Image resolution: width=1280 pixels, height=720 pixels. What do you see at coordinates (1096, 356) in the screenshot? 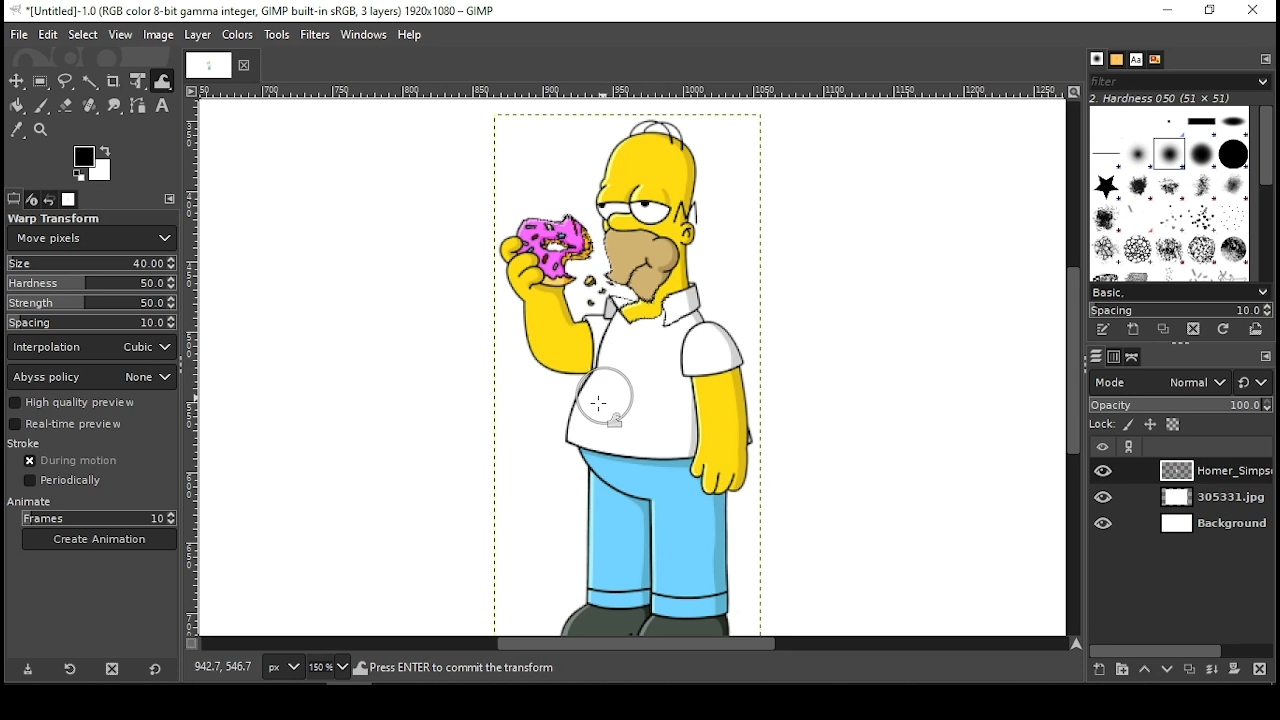
I see `layers` at bounding box center [1096, 356].